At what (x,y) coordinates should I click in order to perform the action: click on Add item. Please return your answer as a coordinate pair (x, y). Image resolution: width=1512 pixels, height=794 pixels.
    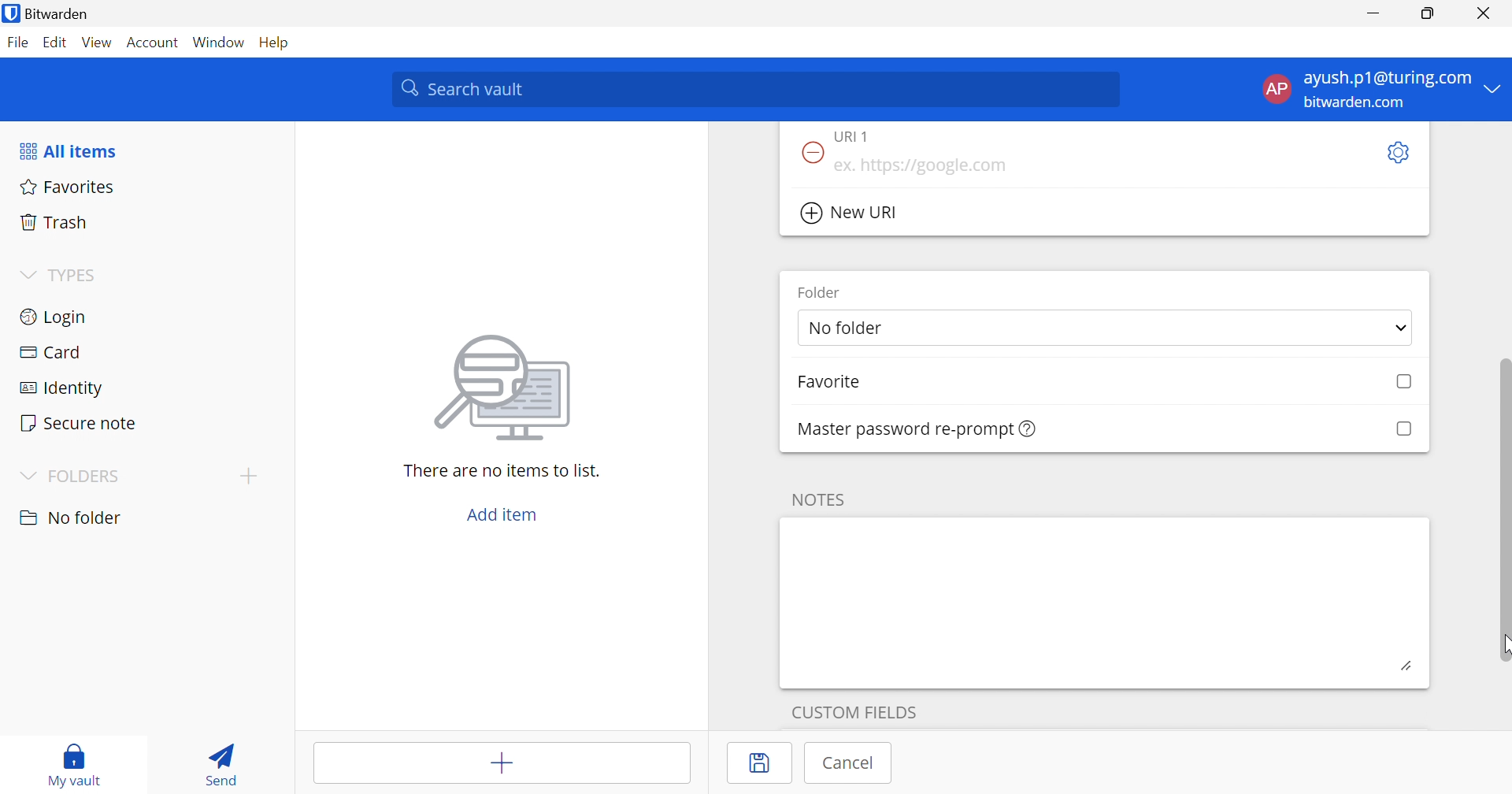
    Looking at the image, I should click on (503, 765).